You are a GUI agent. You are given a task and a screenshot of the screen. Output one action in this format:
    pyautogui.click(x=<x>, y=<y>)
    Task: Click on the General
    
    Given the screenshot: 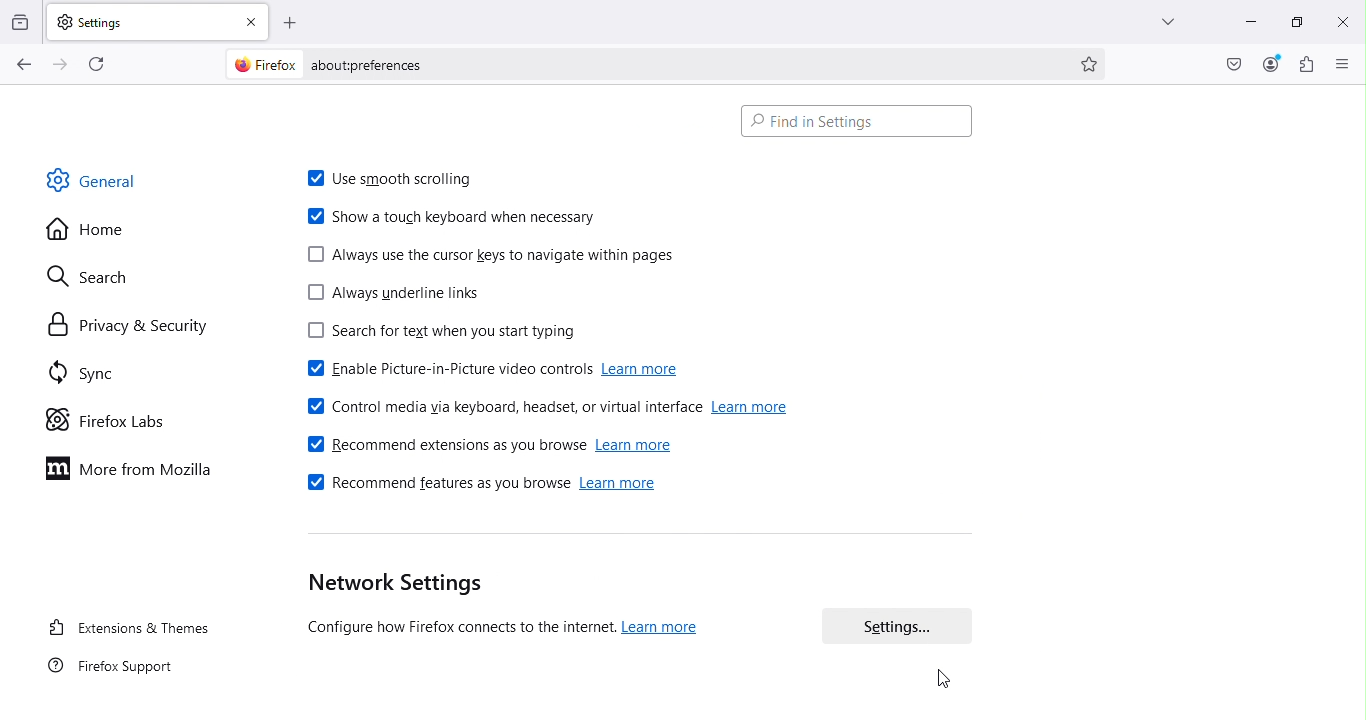 What is the action you would take?
    pyautogui.click(x=114, y=186)
    